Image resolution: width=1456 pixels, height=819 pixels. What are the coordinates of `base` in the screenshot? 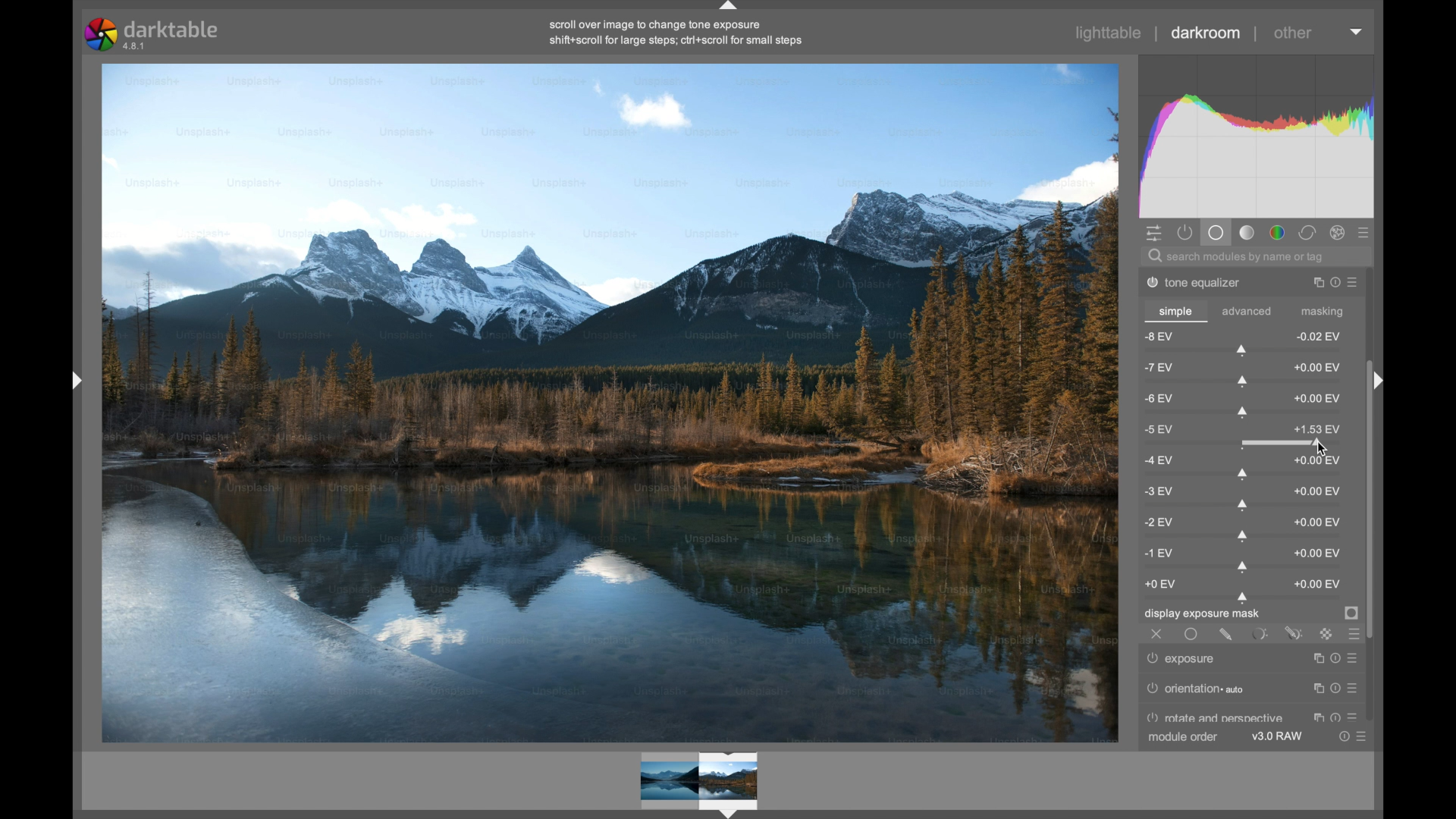 It's located at (1216, 234).